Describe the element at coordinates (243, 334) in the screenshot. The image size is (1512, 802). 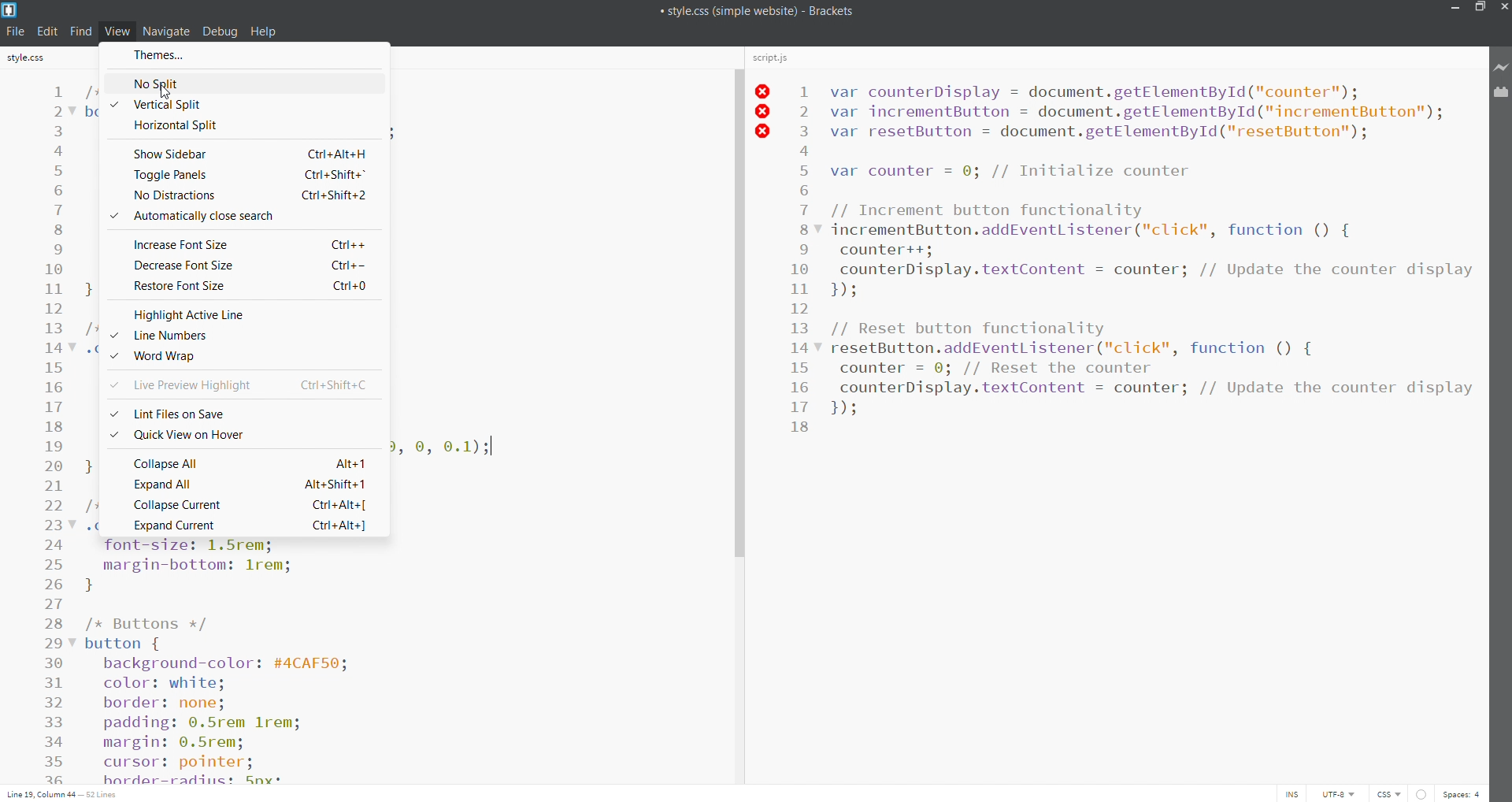
I see `line number` at that location.